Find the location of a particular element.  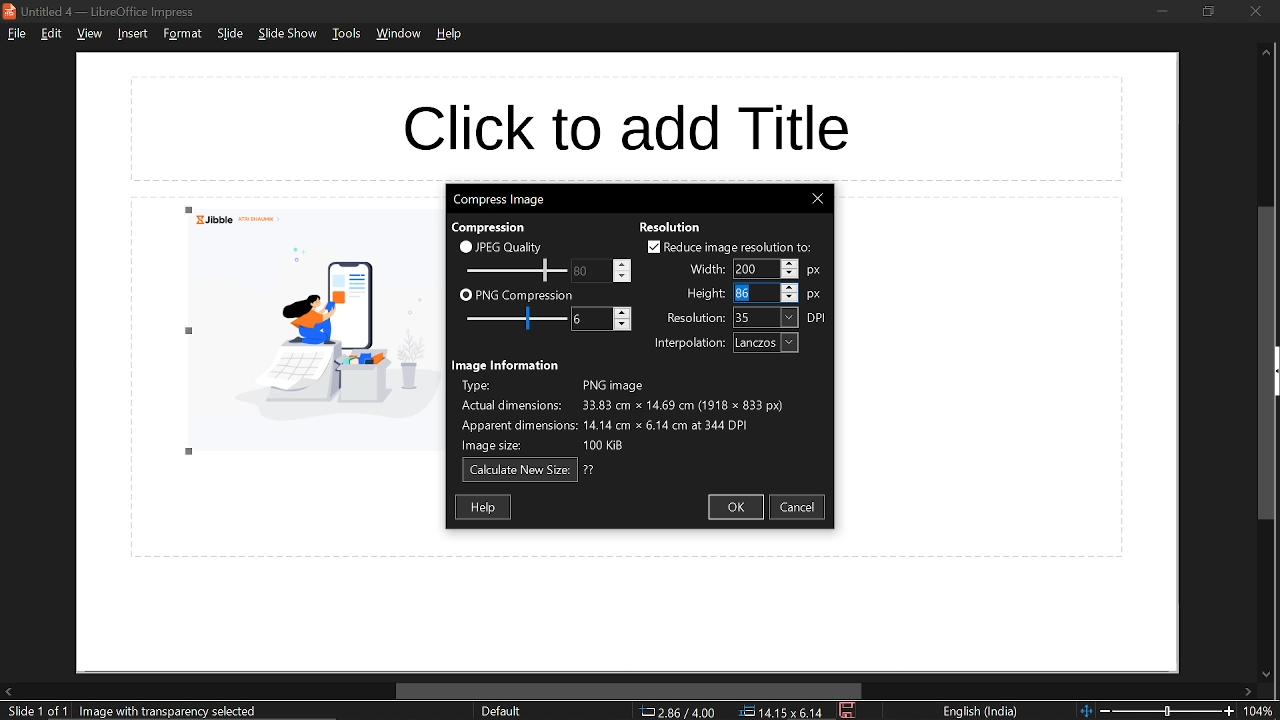

horizontal scrollbar is located at coordinates (630, 691).